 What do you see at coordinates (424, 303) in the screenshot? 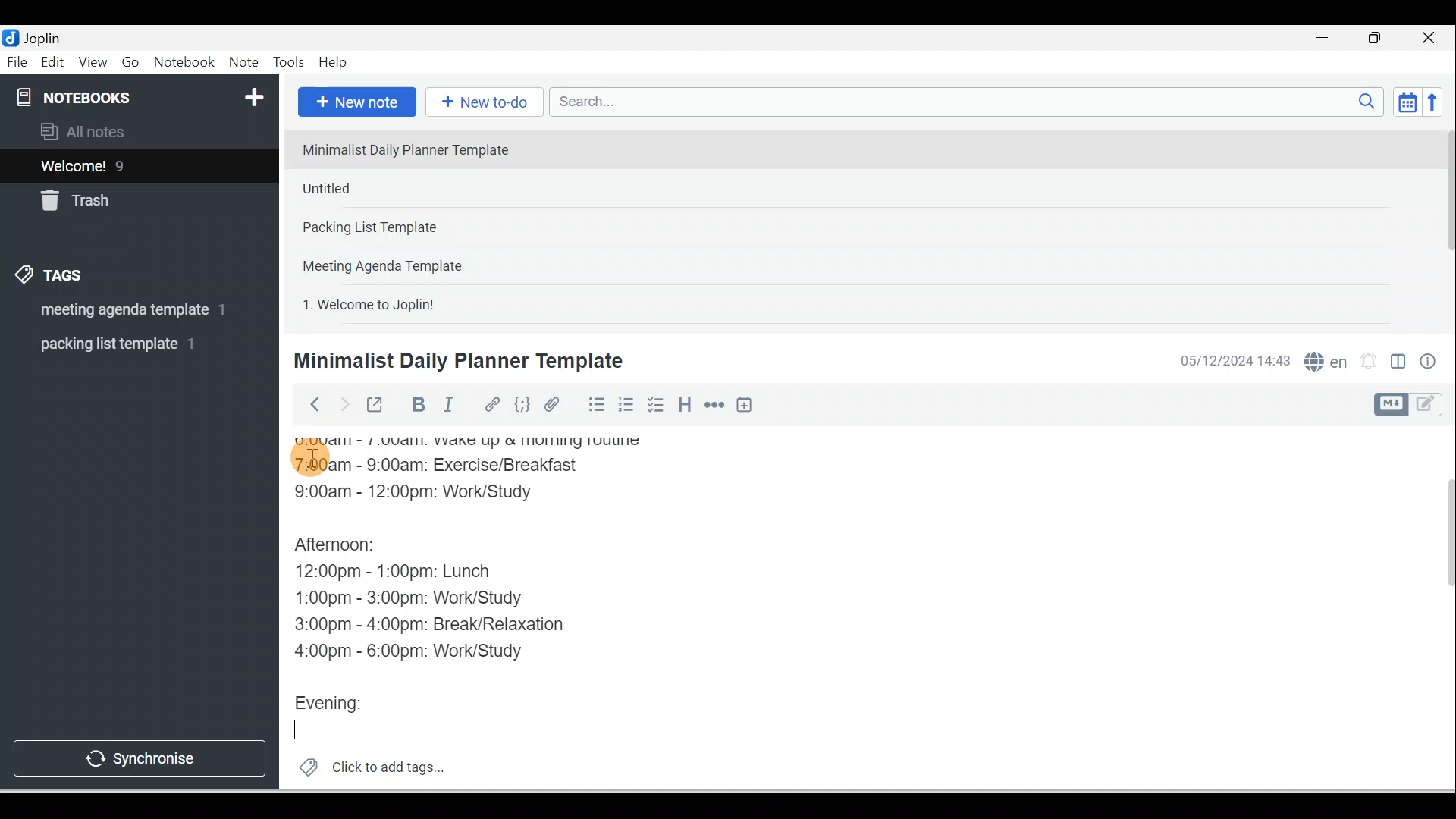
I see `Note 5` at bounding box center [424, 303].